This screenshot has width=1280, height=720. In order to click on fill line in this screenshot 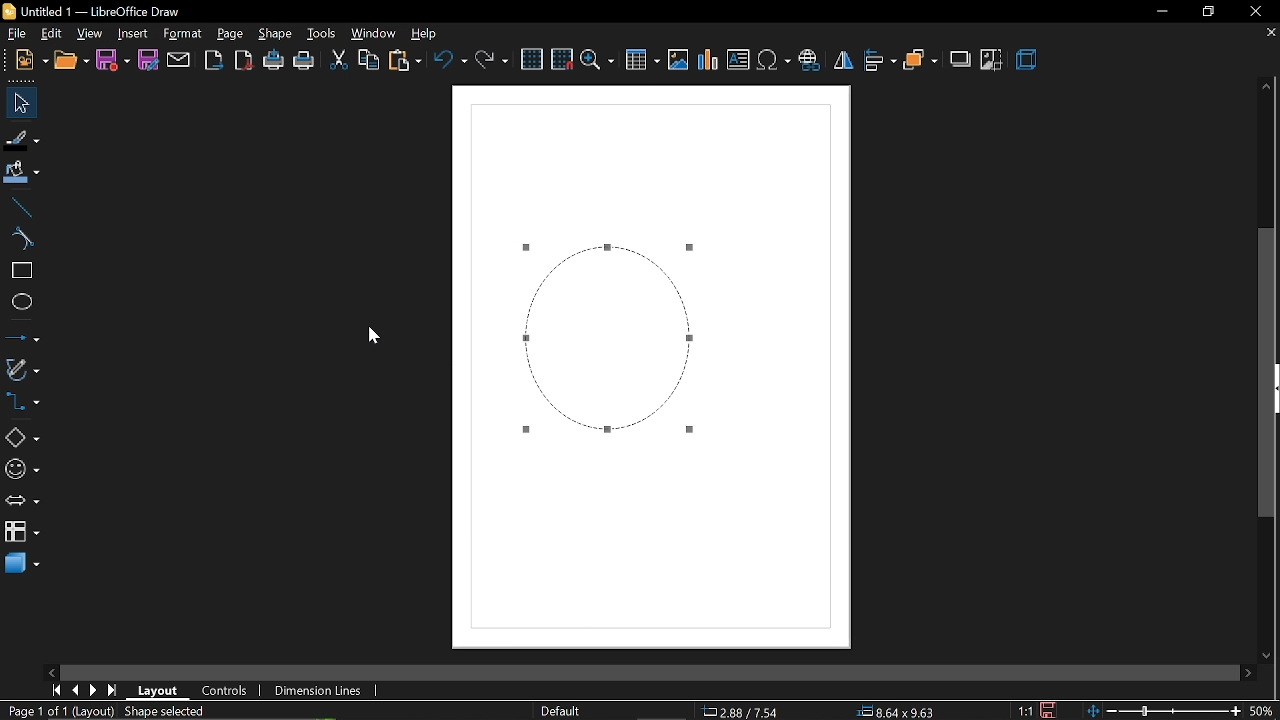, I will do `click(21, 137)`.